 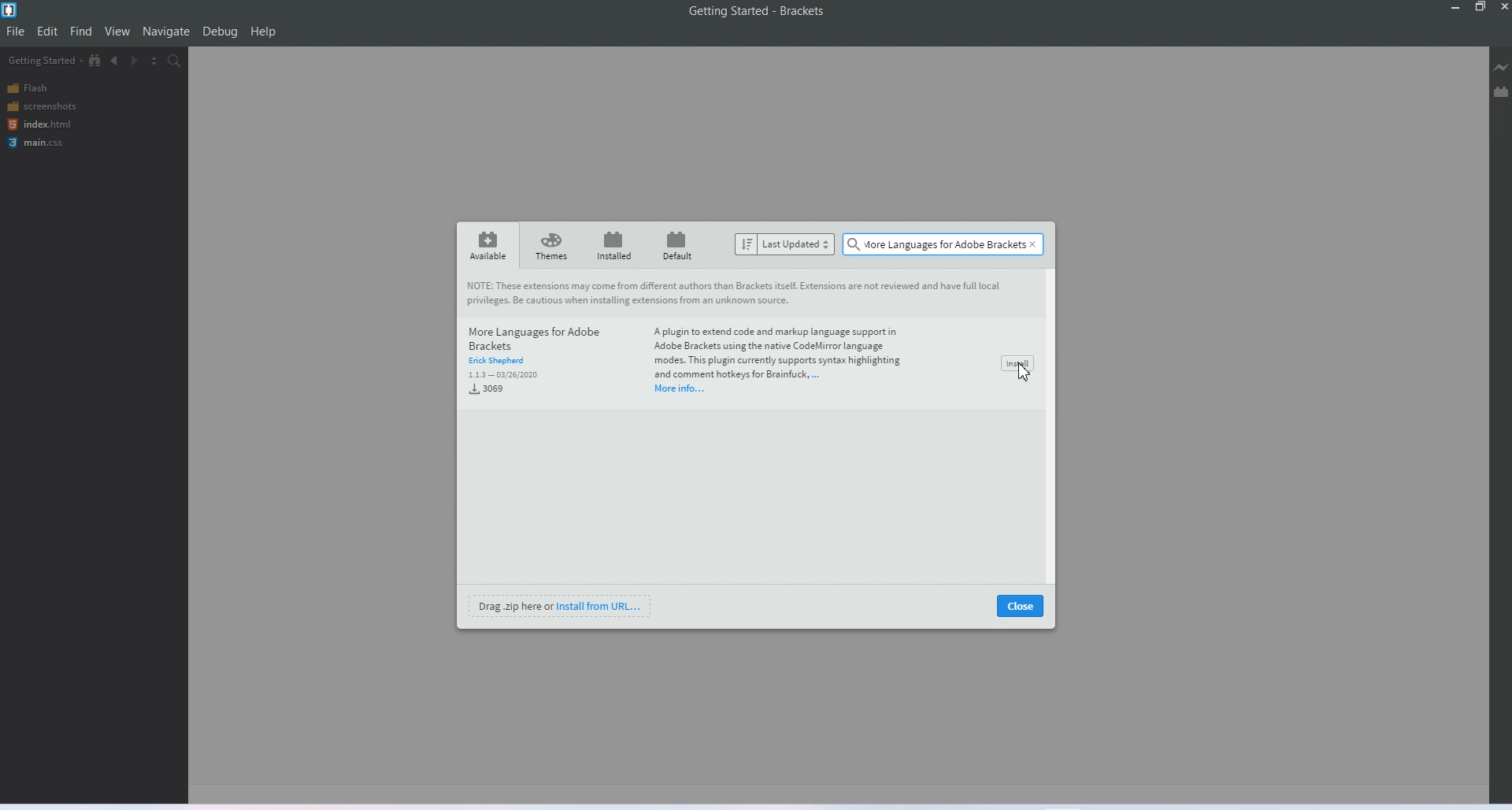 What do you see at coordinates (683, 389) in the screenshot?
I see `More Information` at bounding box center [683, 389].